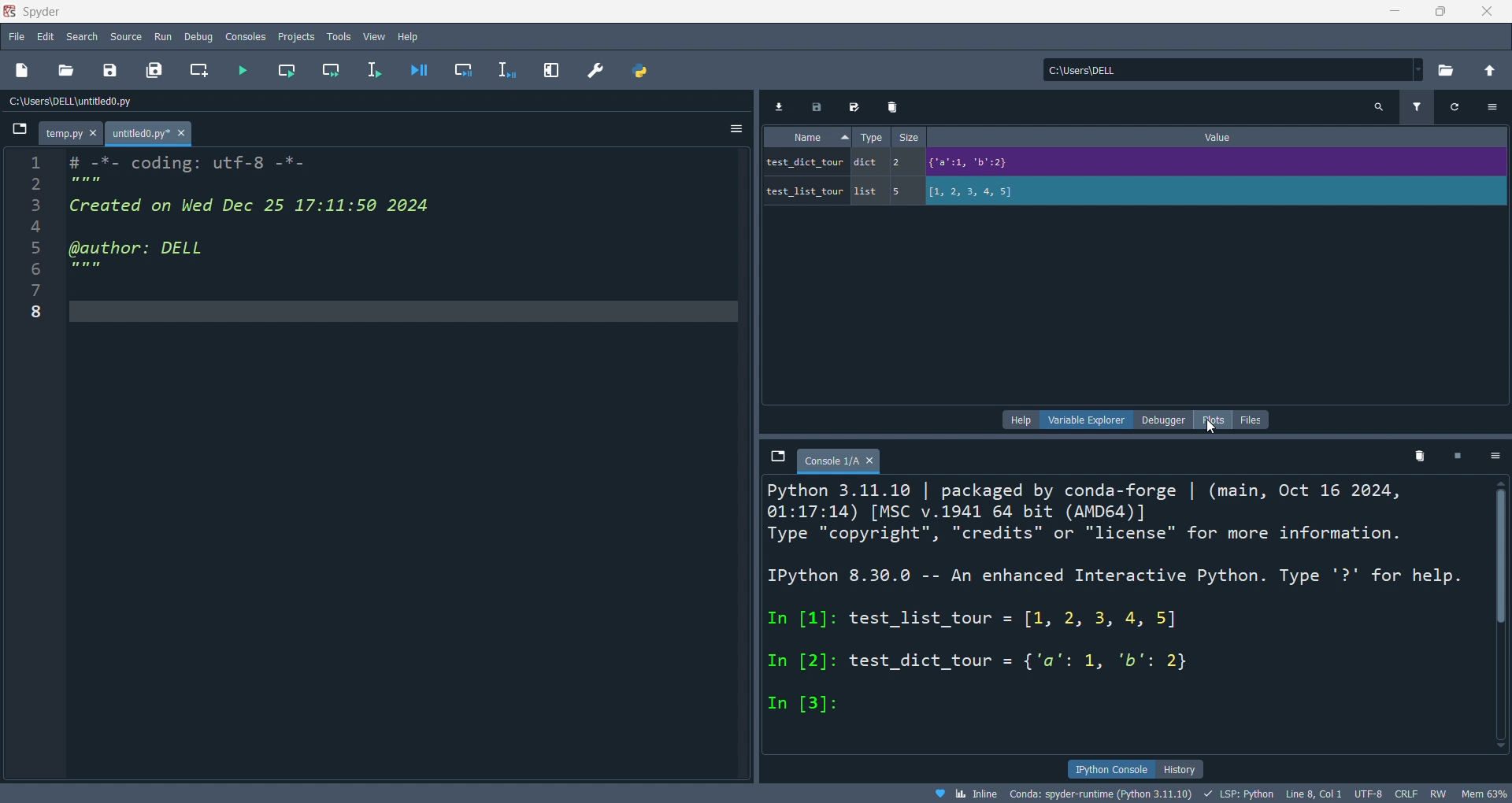 This screenshot has height=803, width=1512. I want to click on view, so click(372, 37).